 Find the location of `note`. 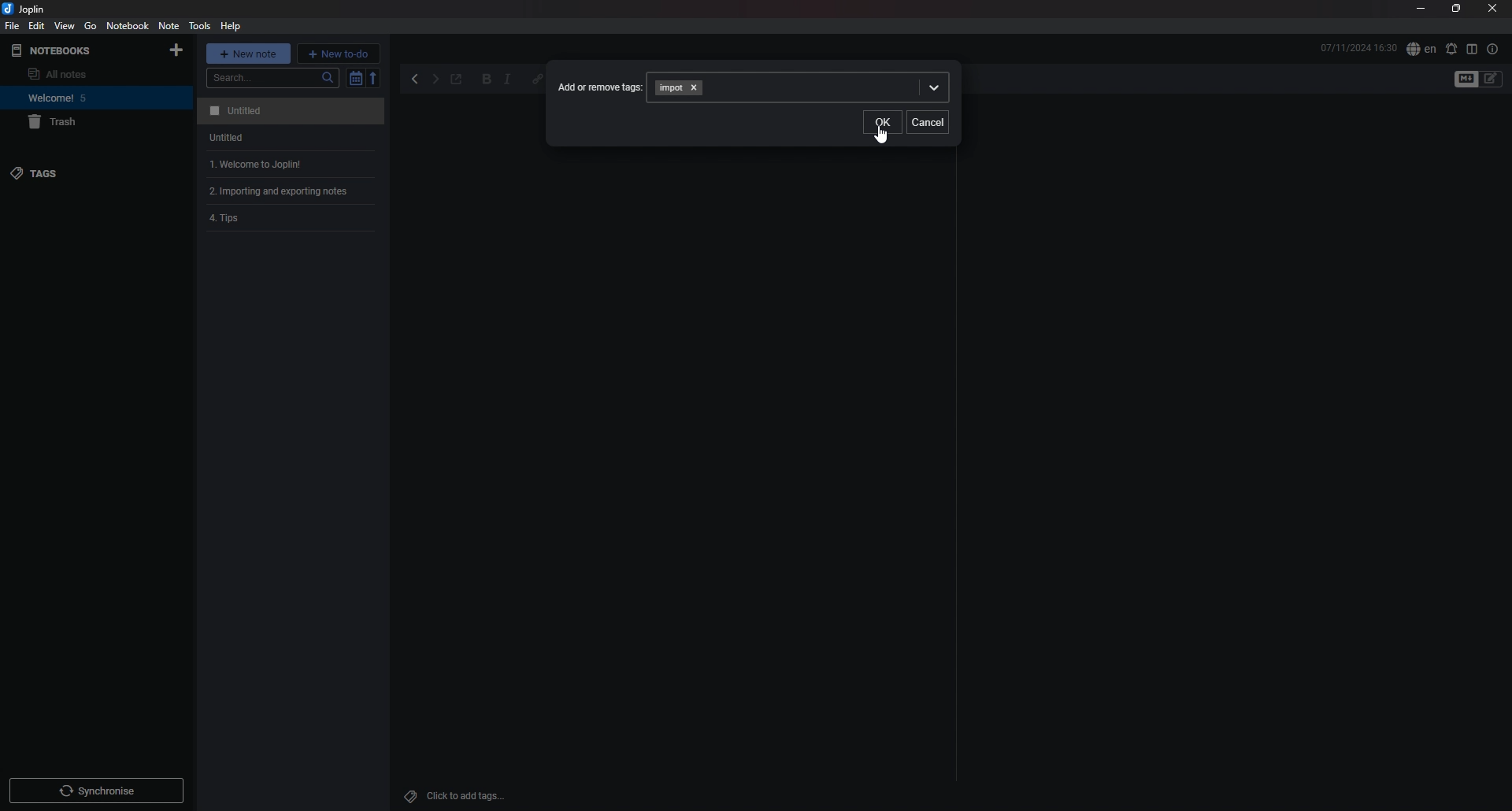

note is located at coordinates (287, 138).